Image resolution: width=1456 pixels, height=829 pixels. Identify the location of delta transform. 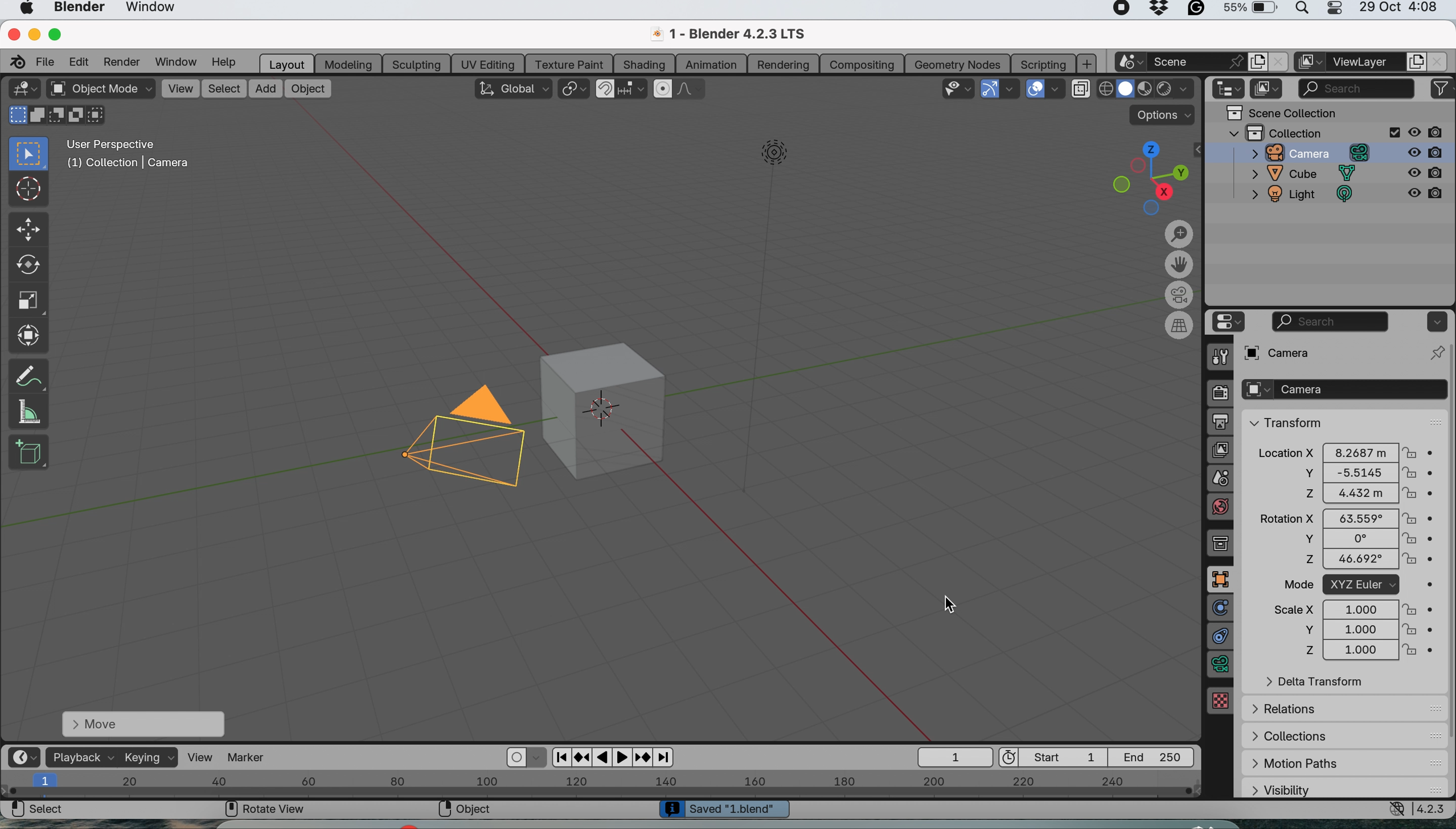
(1315, 682).